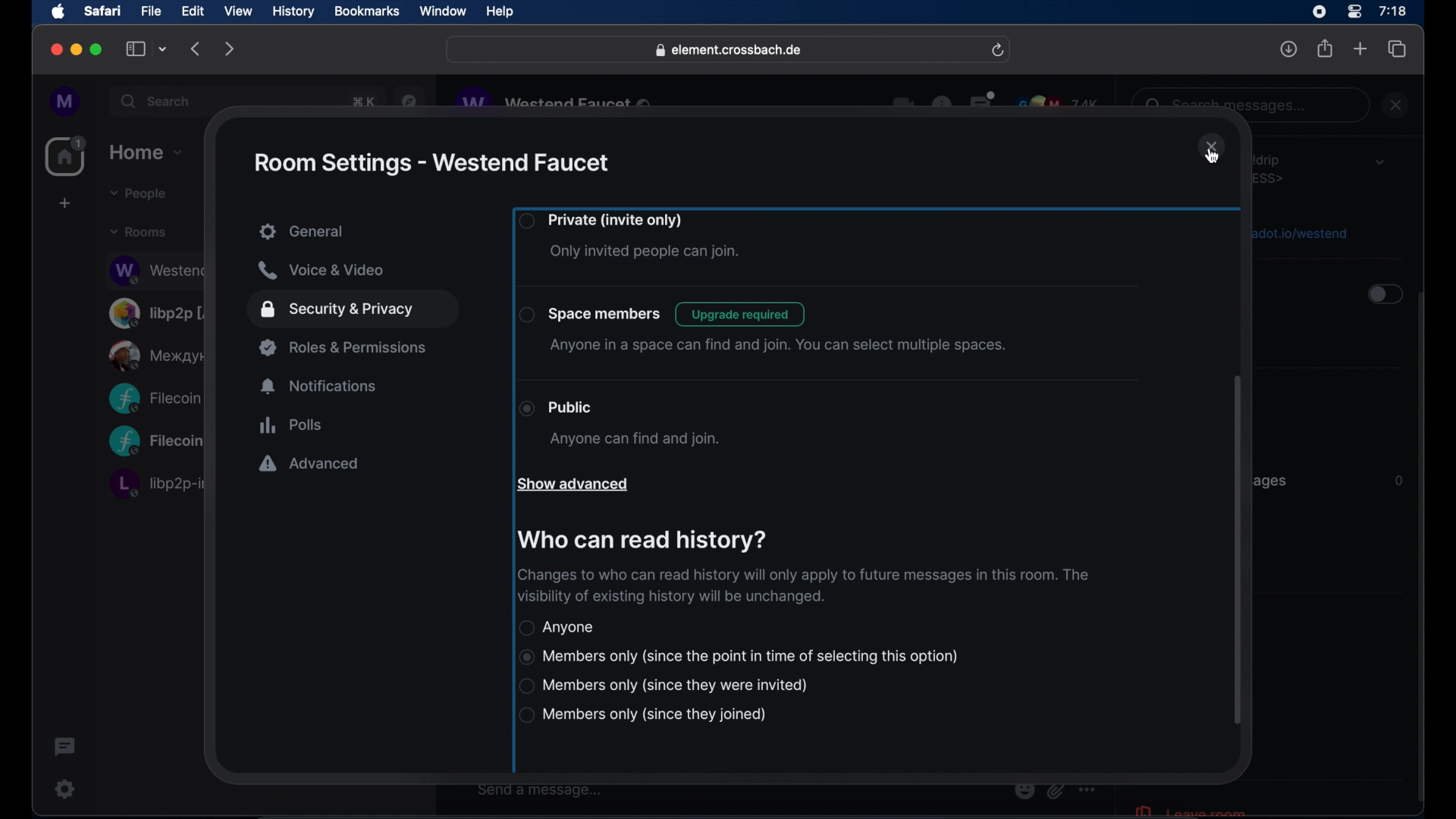  I want to click on obscure, so click(156, 269).